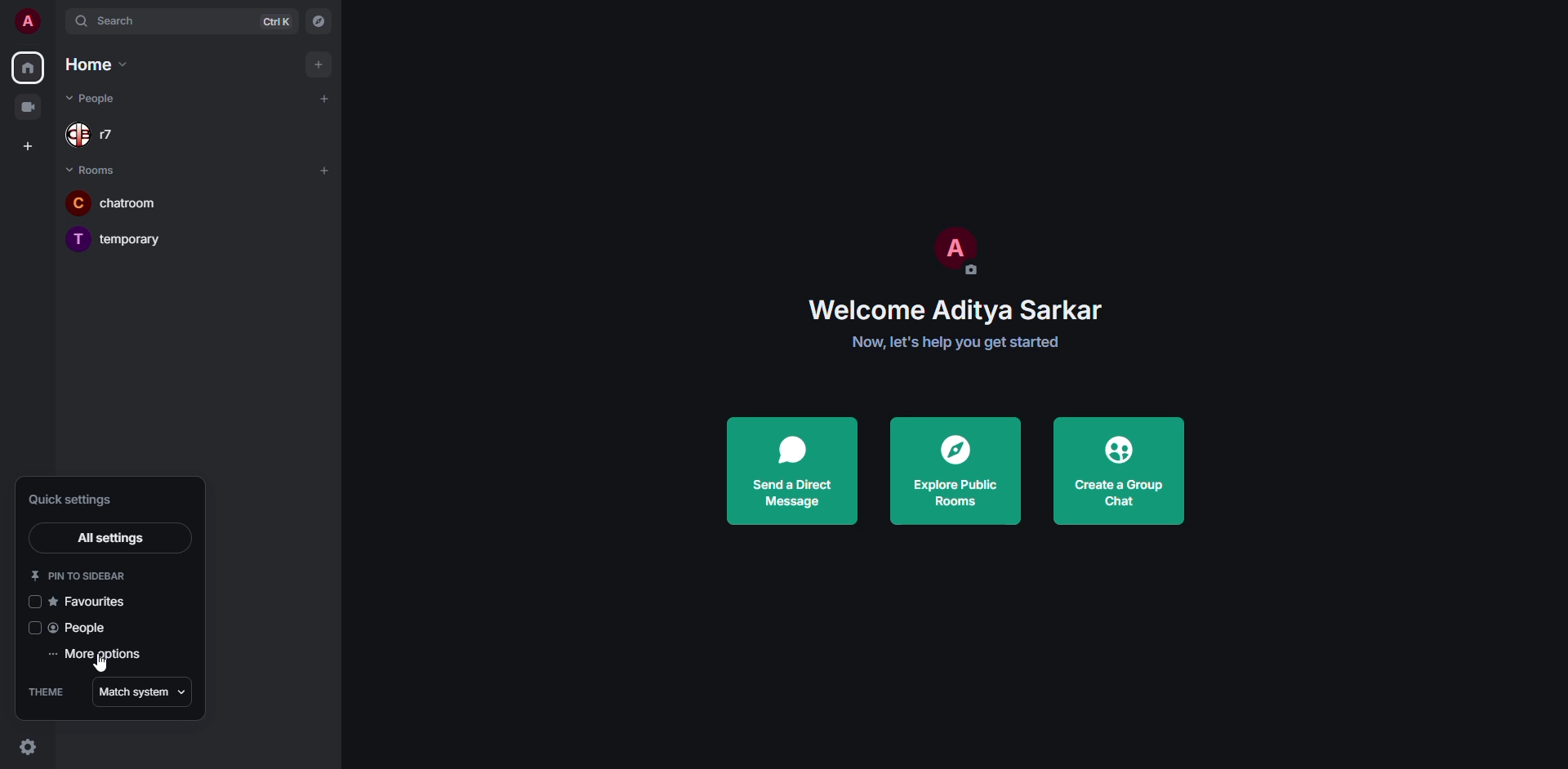  Describe the element at coordinates (322, 100) in the screenshot. I see `add` at that location.